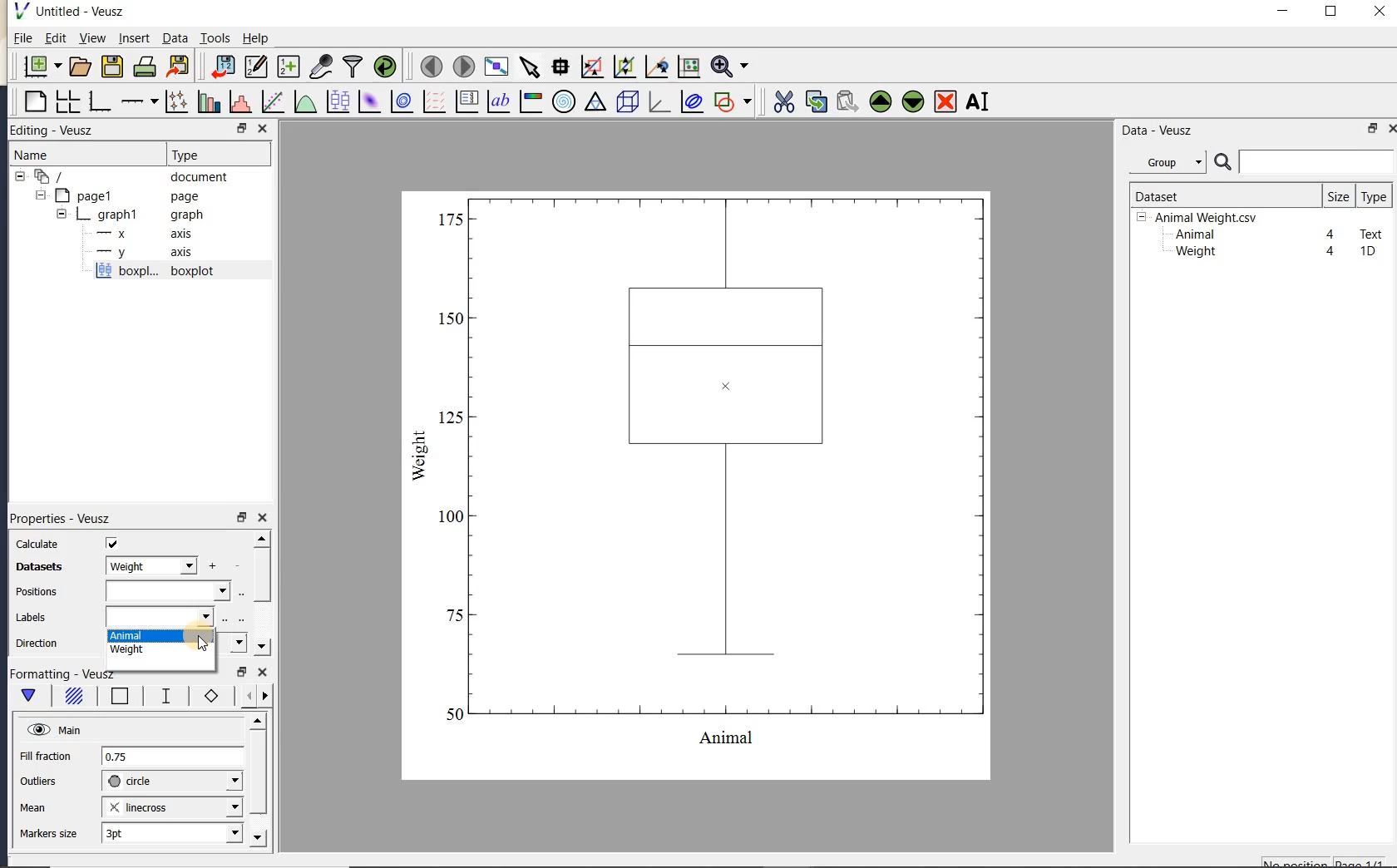  I want to click on check/uncheck, so click(112, 543).